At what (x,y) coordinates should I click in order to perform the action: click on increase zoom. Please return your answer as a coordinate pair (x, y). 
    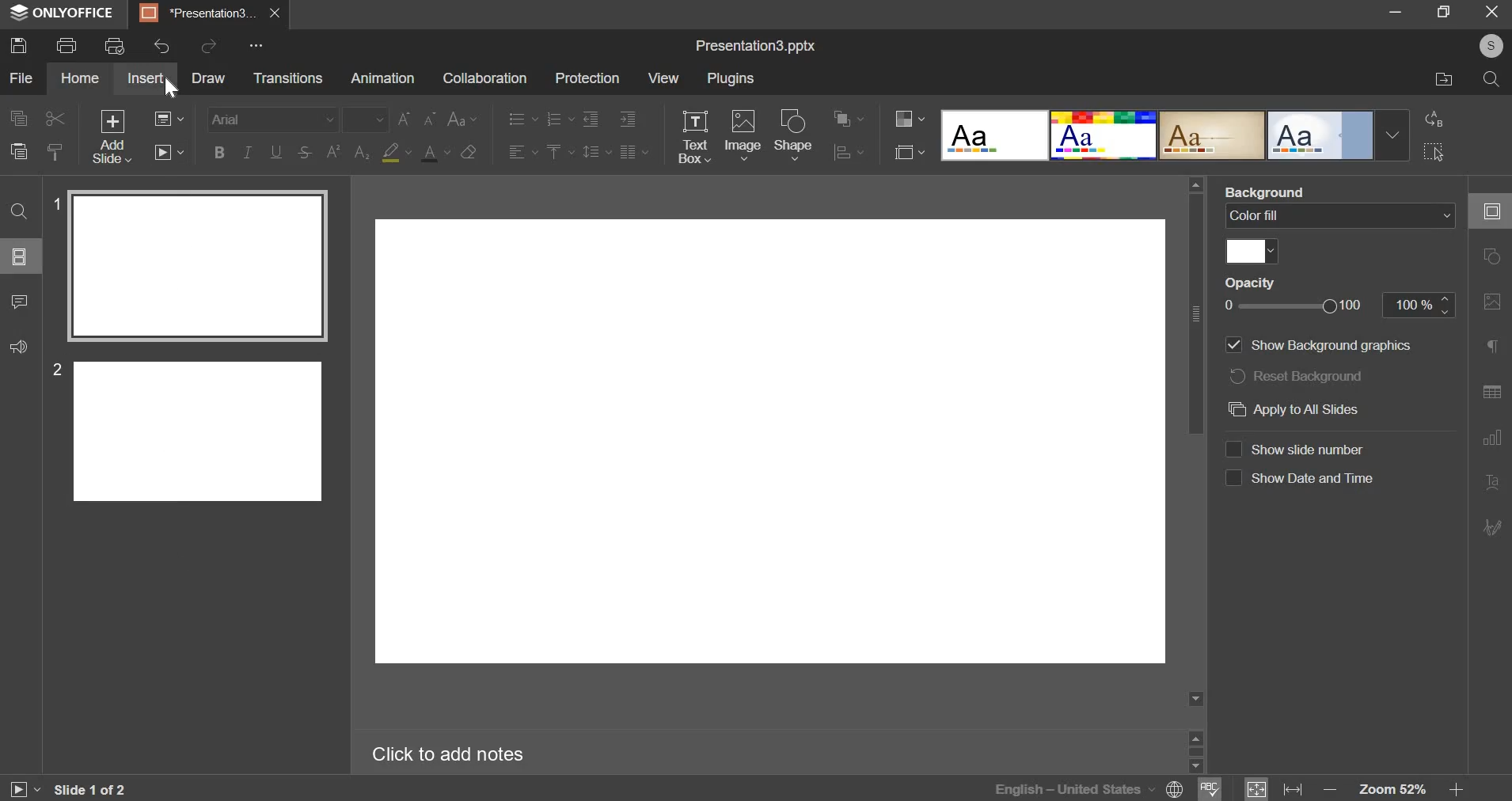
    Looking at the image, I should click on (1457, 790).